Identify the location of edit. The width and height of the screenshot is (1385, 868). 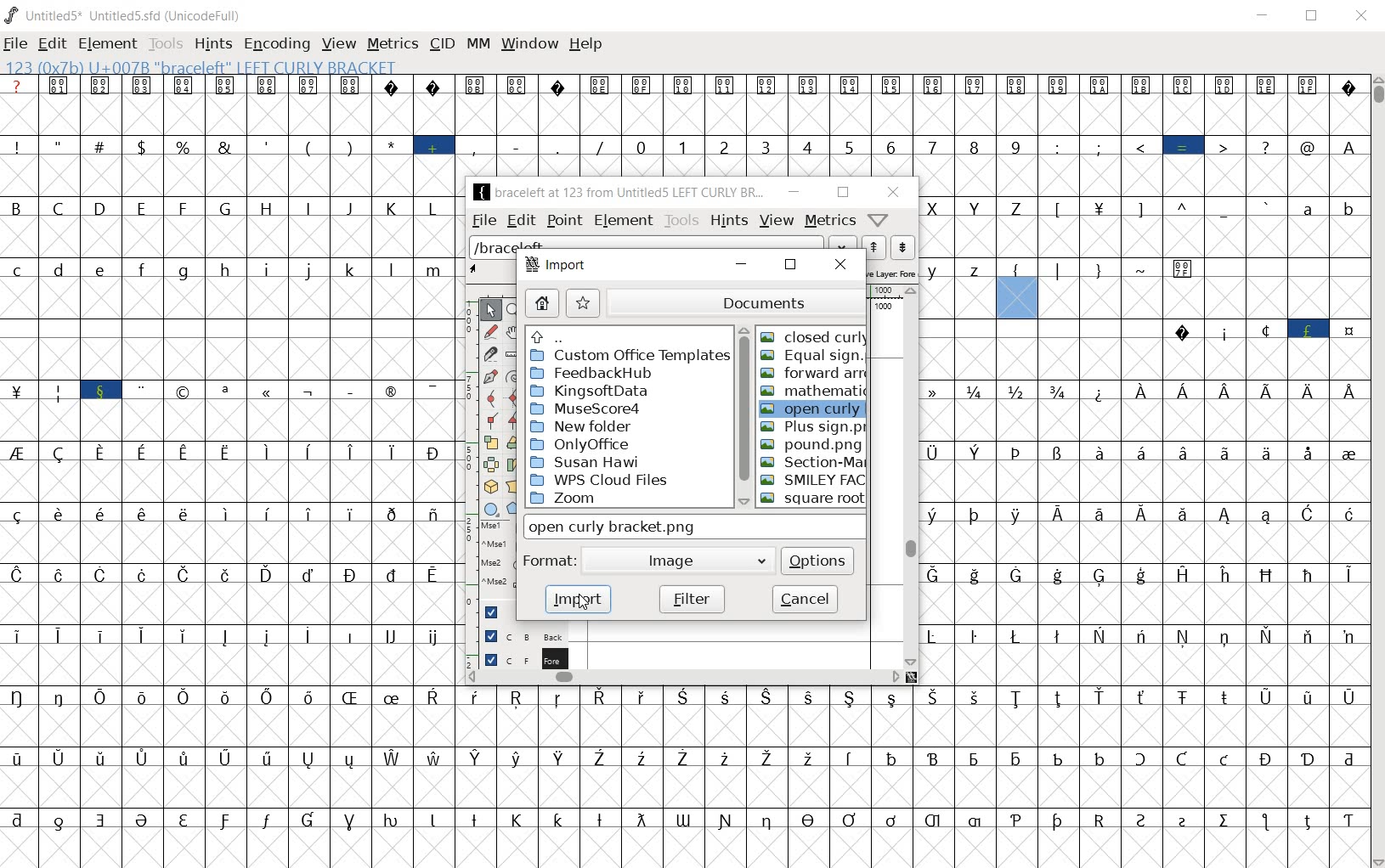
(522, 220).